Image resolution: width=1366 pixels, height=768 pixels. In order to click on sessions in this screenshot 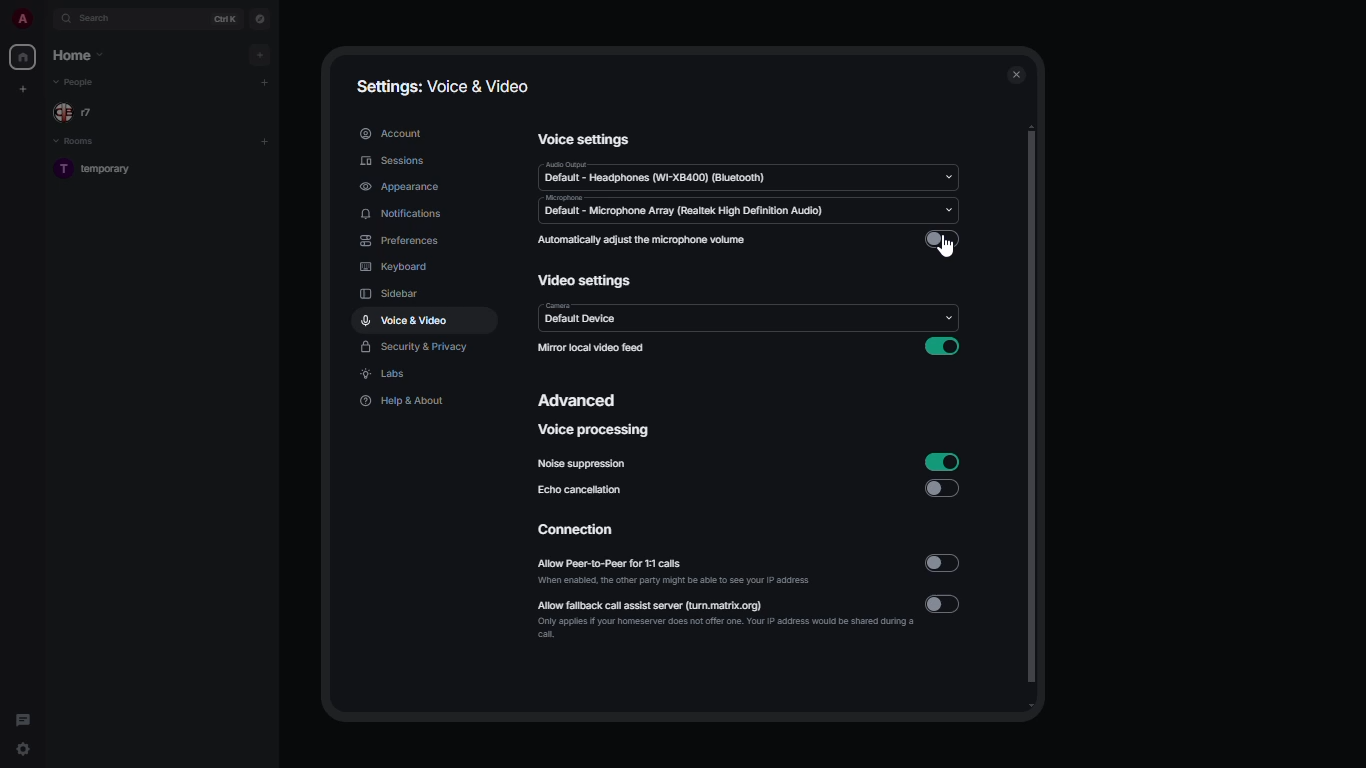, I will do `click(398, 162)`.